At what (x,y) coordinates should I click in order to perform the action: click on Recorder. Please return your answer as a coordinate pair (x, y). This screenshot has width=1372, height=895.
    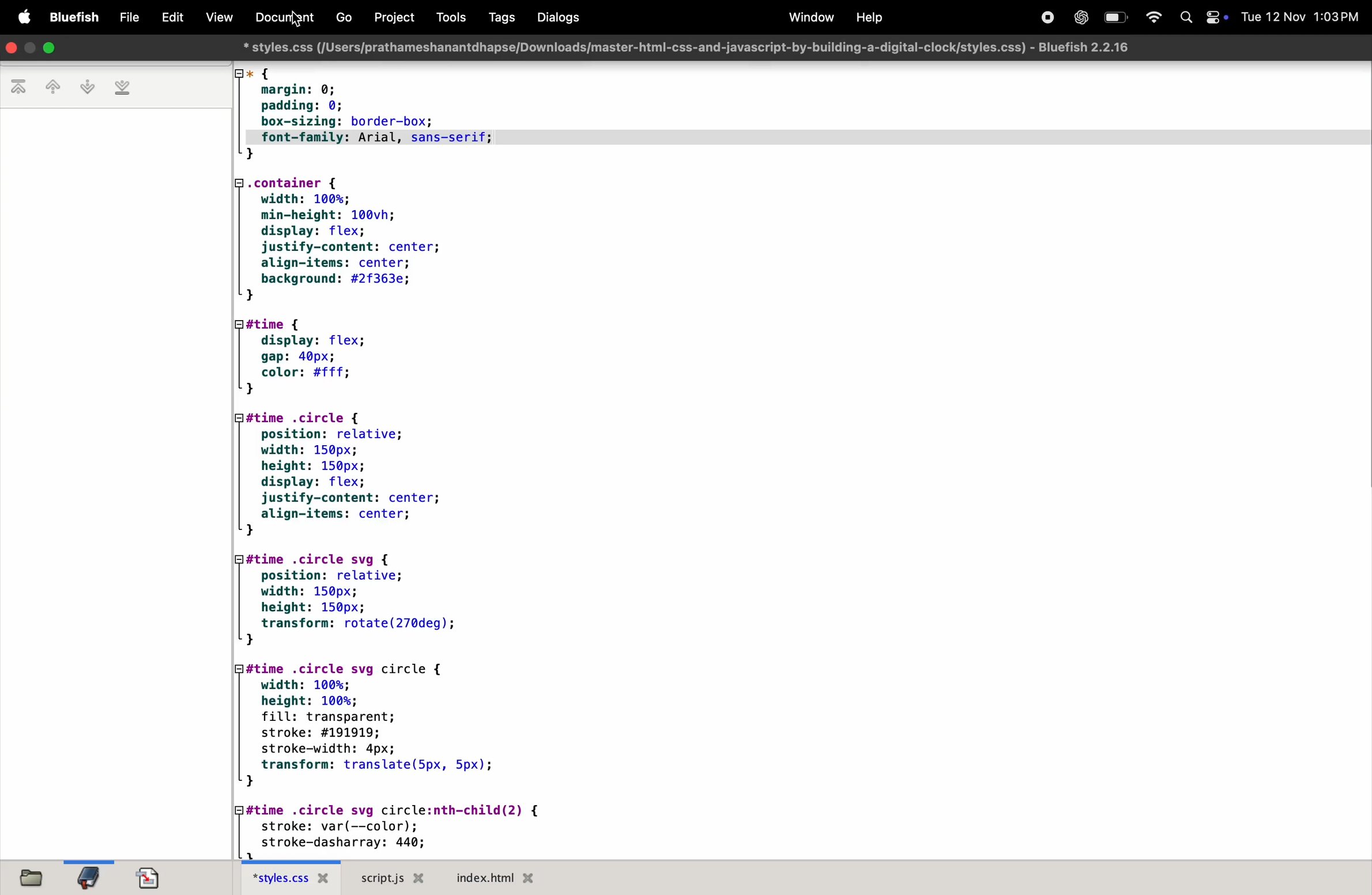
    Looking at the image, I should click on (1043, 17).